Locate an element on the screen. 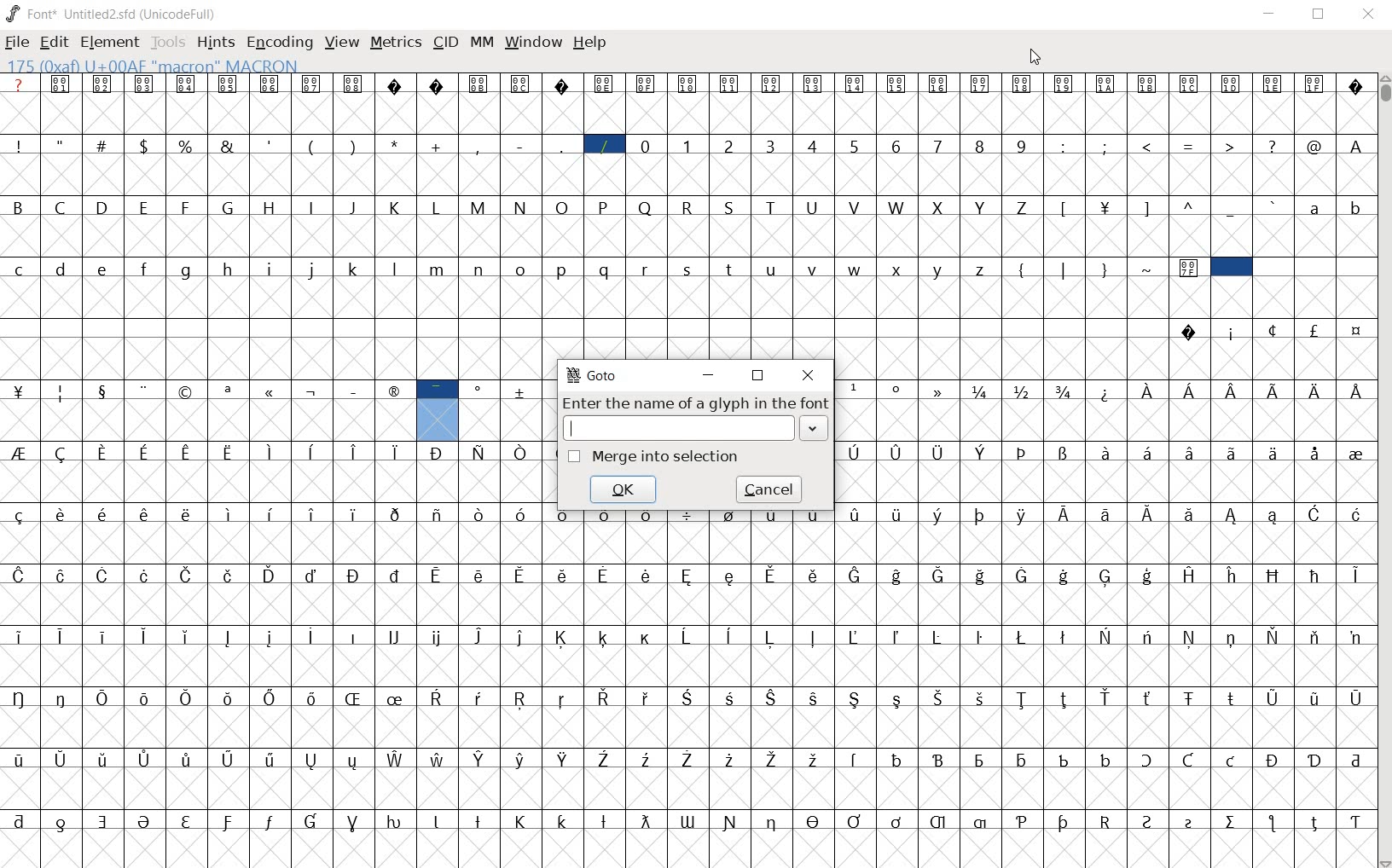 The image size is (1392, 868). close is located at coordinates (807, 377).